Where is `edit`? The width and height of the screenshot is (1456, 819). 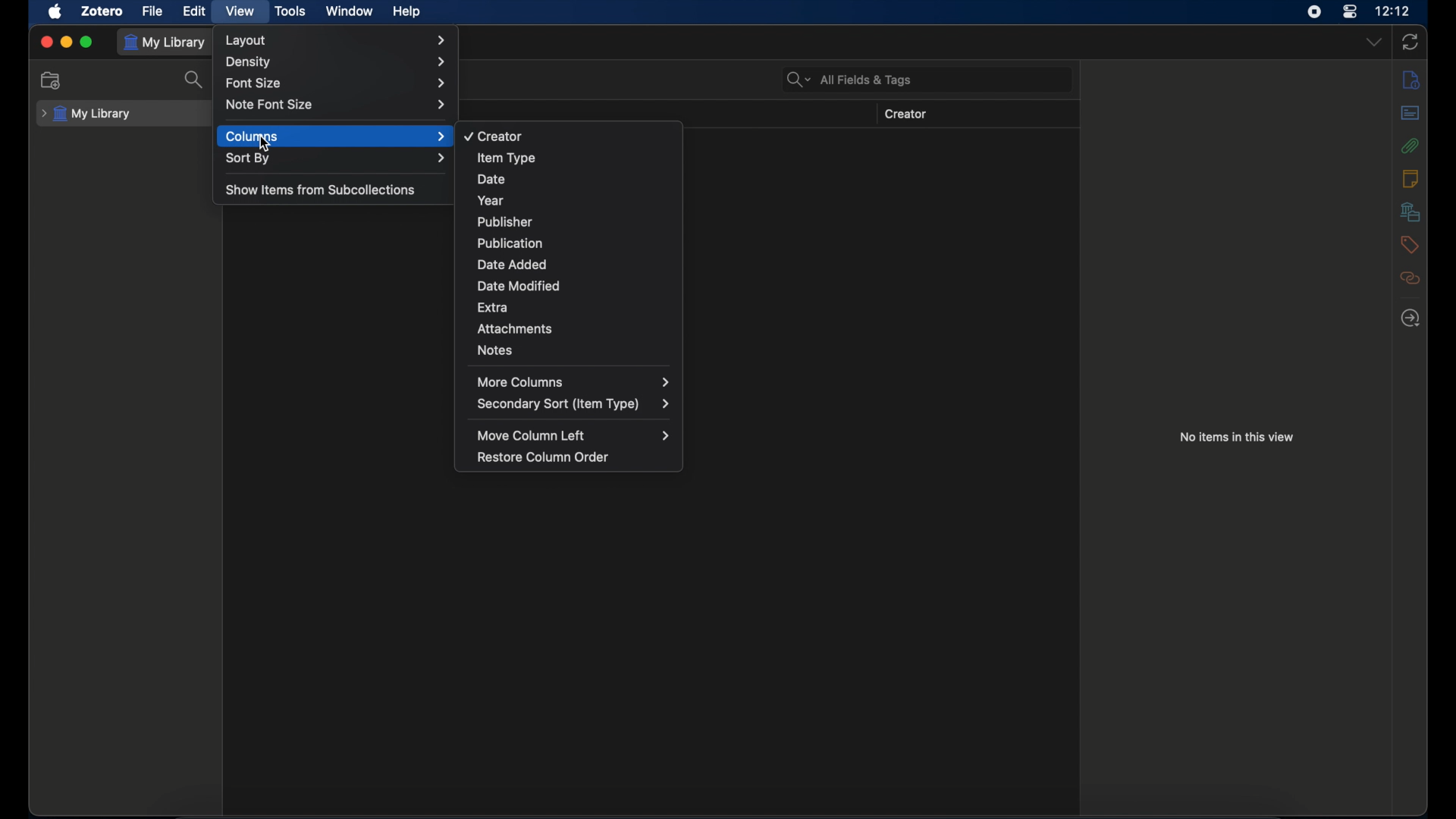
edit is located at coordinates (196, 11).